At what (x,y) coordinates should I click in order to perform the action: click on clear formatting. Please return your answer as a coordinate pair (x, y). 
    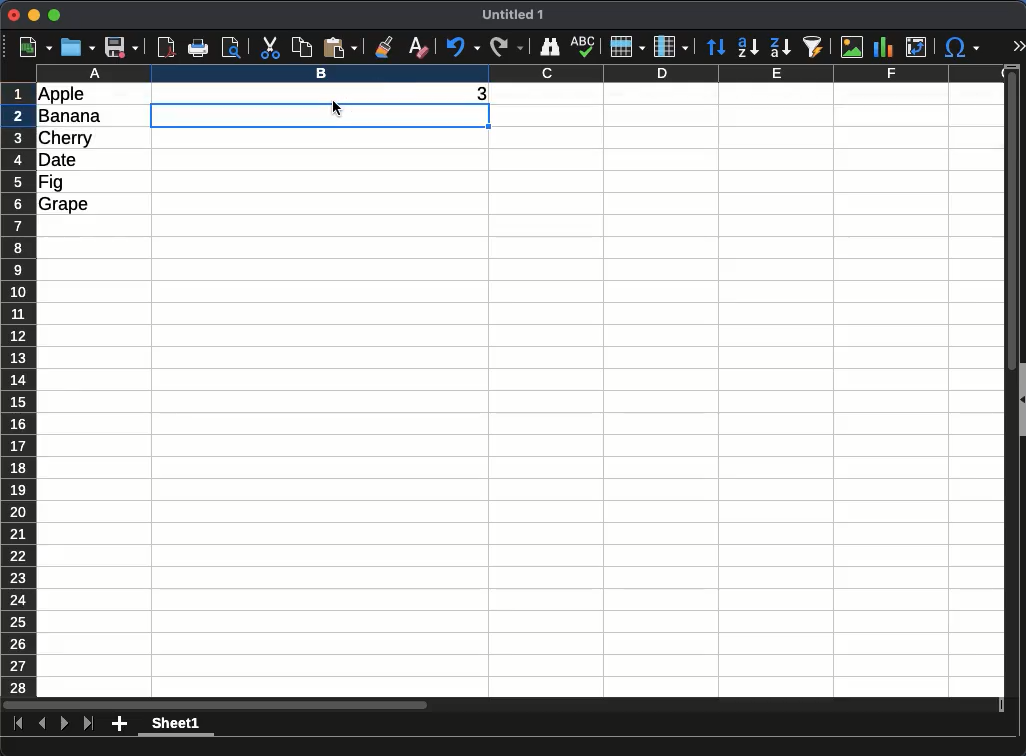
    Looking at the image, I should click on (419, 48).